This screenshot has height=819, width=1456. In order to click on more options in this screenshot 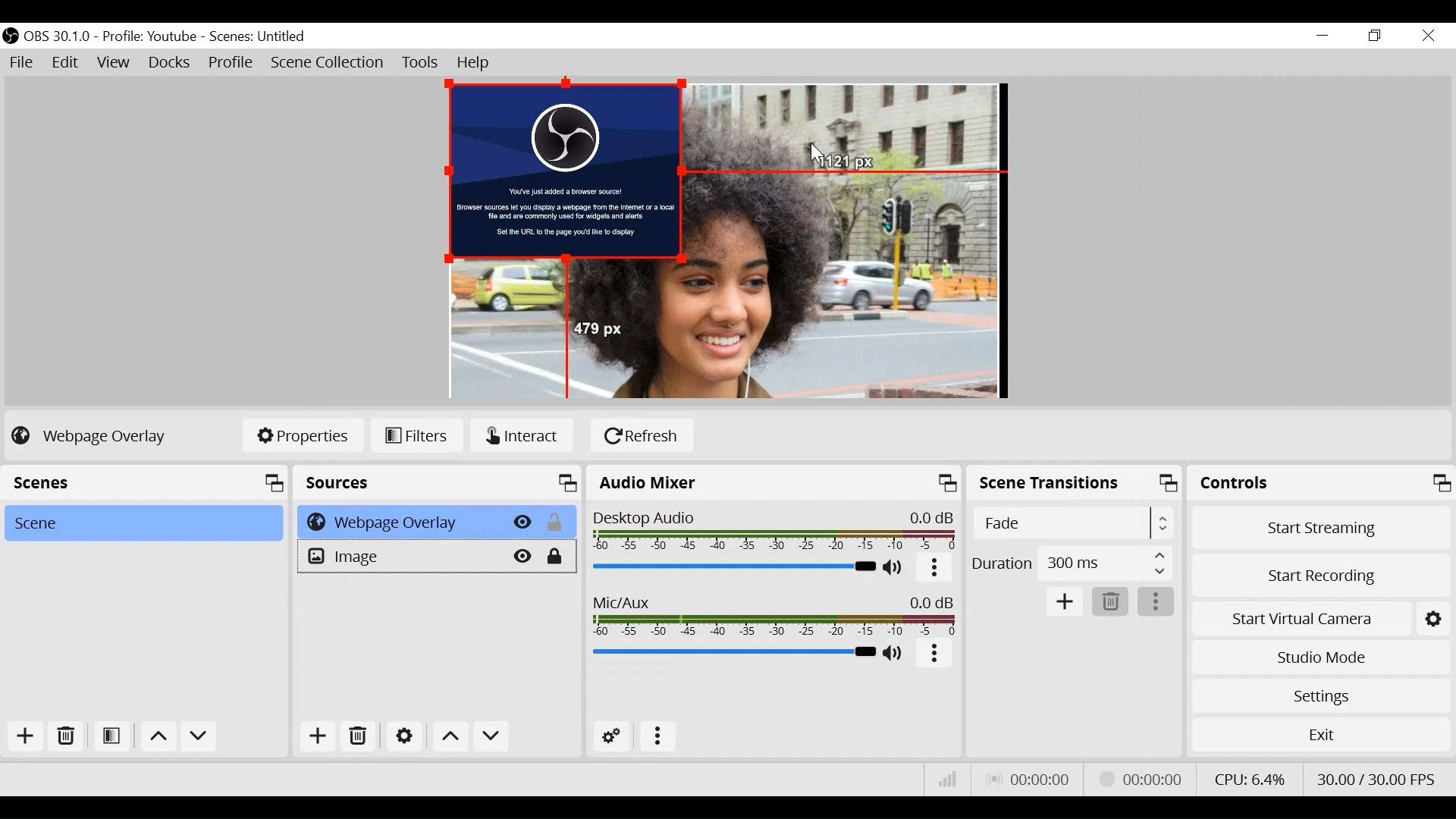, I will do `click(658, 736)`.